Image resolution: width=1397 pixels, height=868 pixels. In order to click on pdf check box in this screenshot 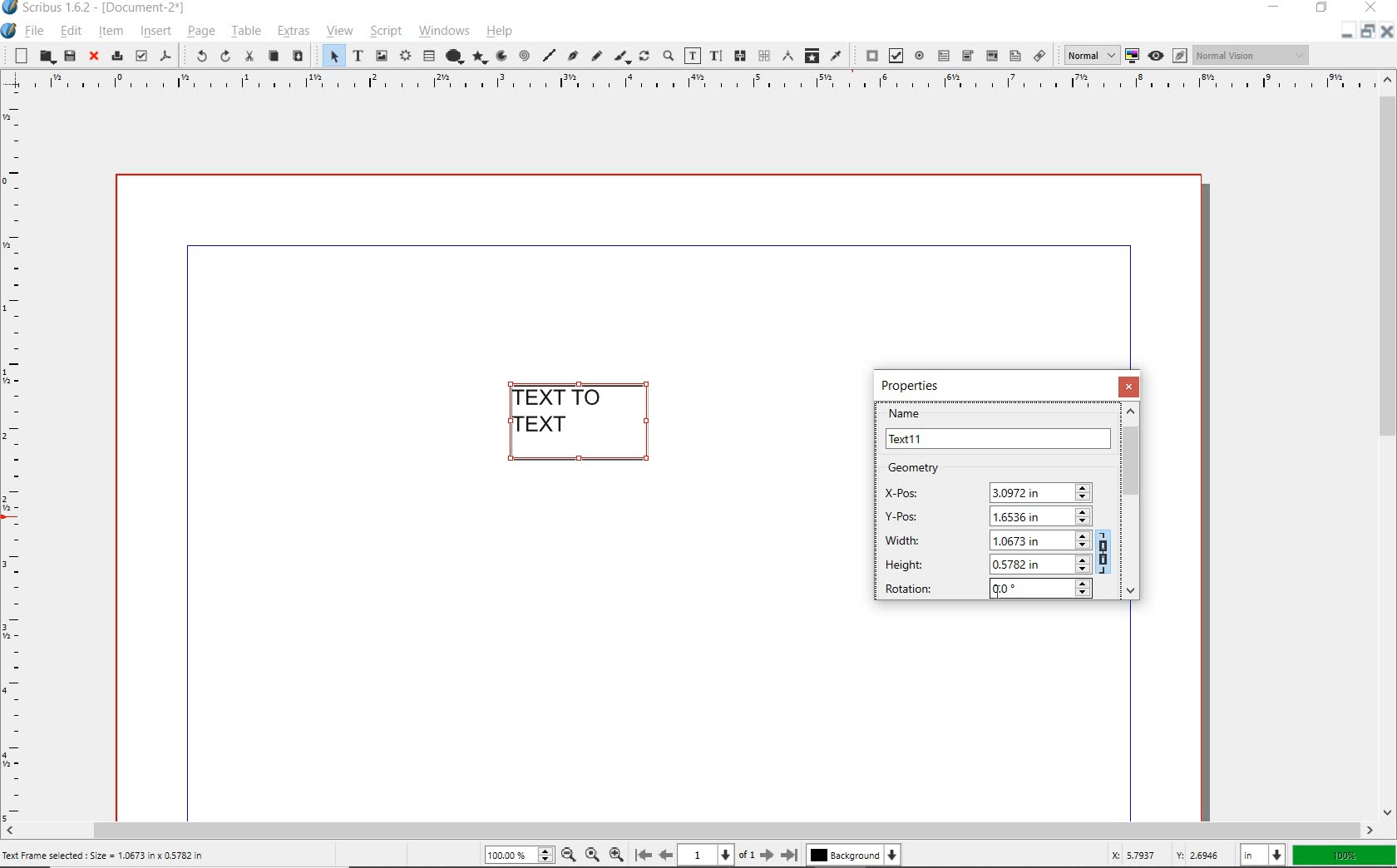, I will do `click(896, 55)`.